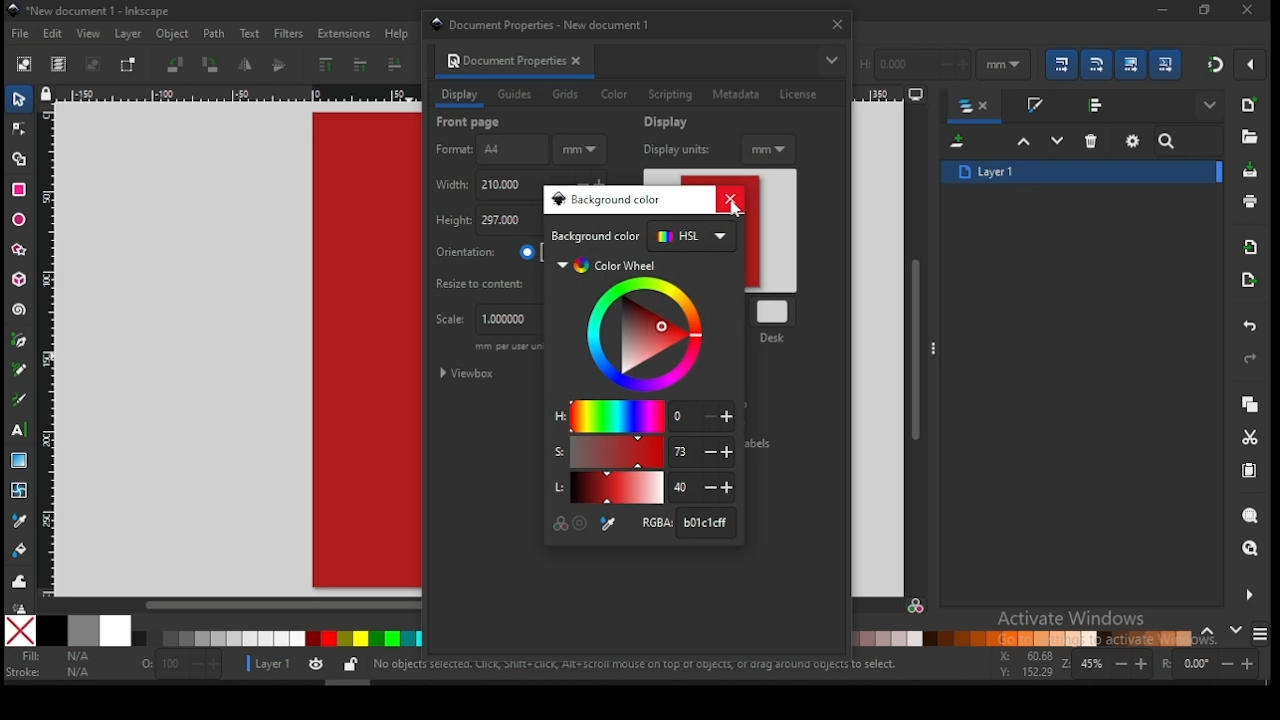 The height and width of the screenshot is (720, 1280). I want to click on units, so click(1004, 65).